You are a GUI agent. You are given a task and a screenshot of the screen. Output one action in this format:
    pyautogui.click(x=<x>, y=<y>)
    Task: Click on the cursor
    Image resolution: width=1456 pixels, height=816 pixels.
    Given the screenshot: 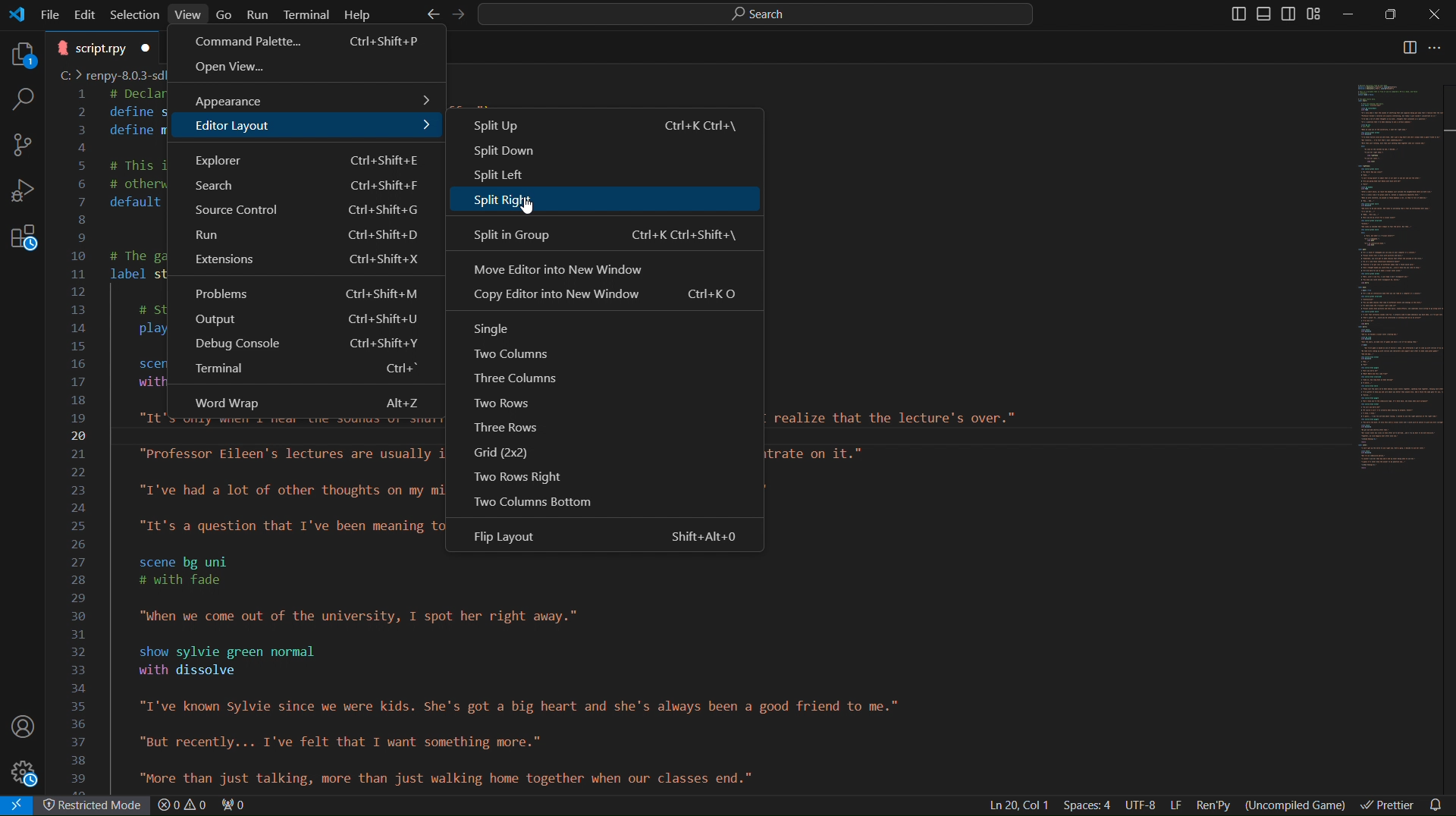 What is the action you would take?
    pyautogui.click(x=526, y=207)
    